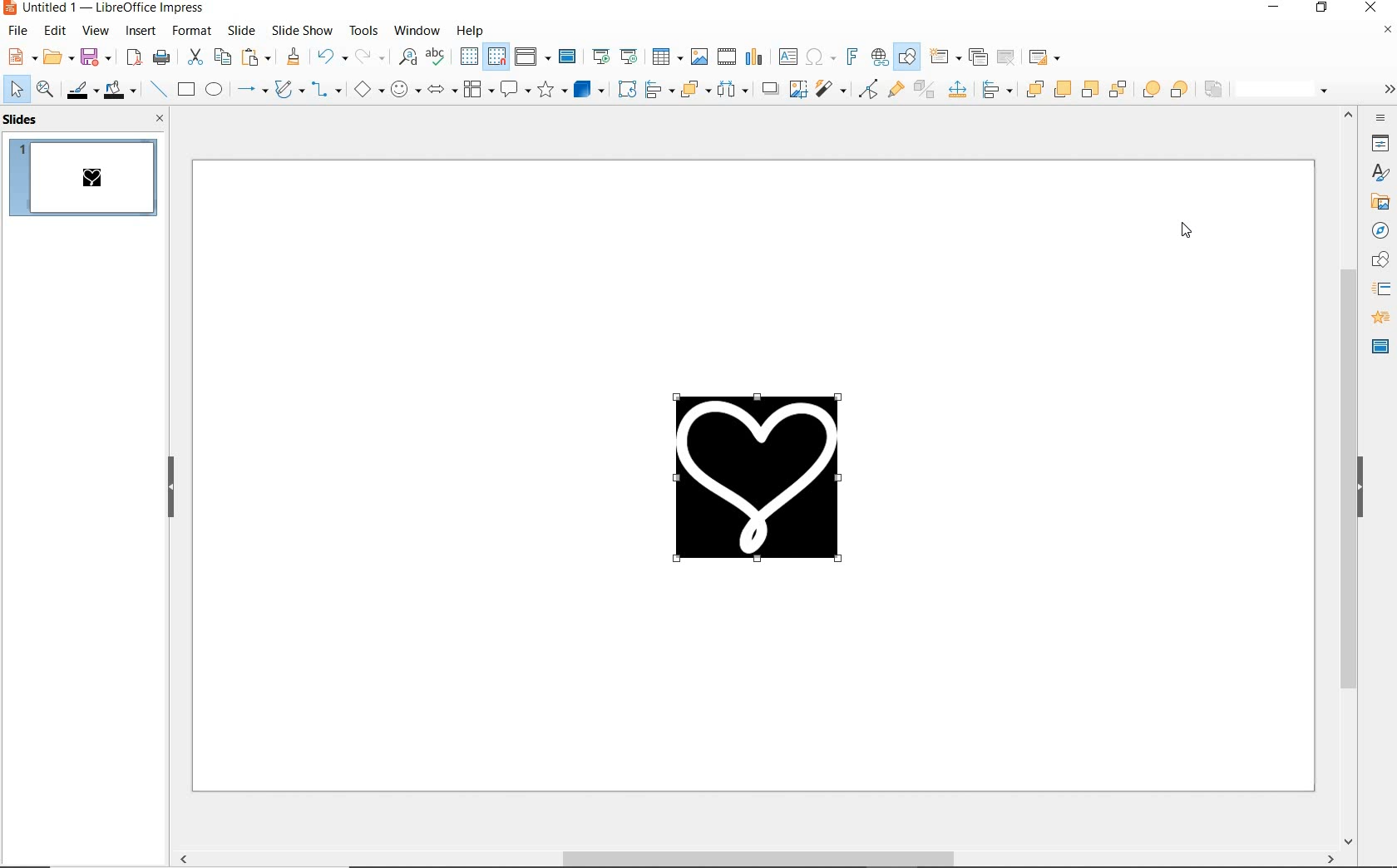 The height and width of the screenshot is (868, 1397). What do you see at coordinates (590, 89) in the screenshot?
I see `3D Objects` at bounding box center [590, 89].